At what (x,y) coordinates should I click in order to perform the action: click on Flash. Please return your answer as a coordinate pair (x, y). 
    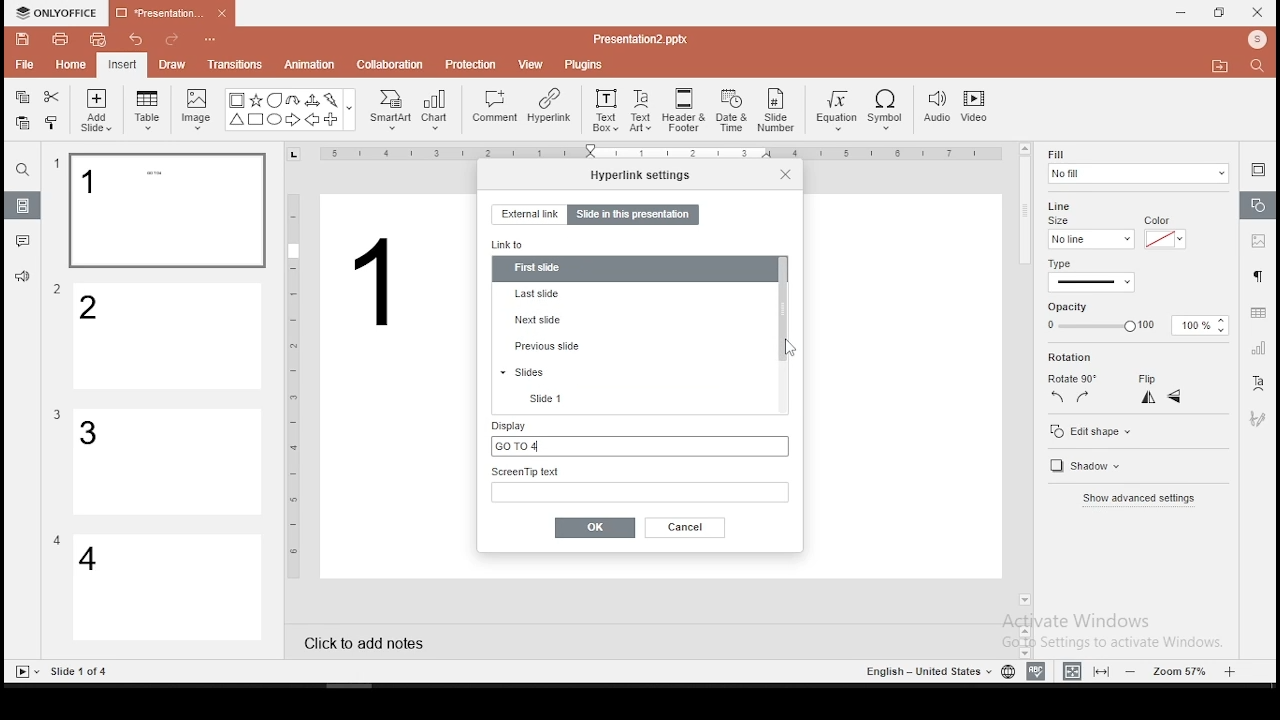
    Looking at the image, I should click on (333, 100).